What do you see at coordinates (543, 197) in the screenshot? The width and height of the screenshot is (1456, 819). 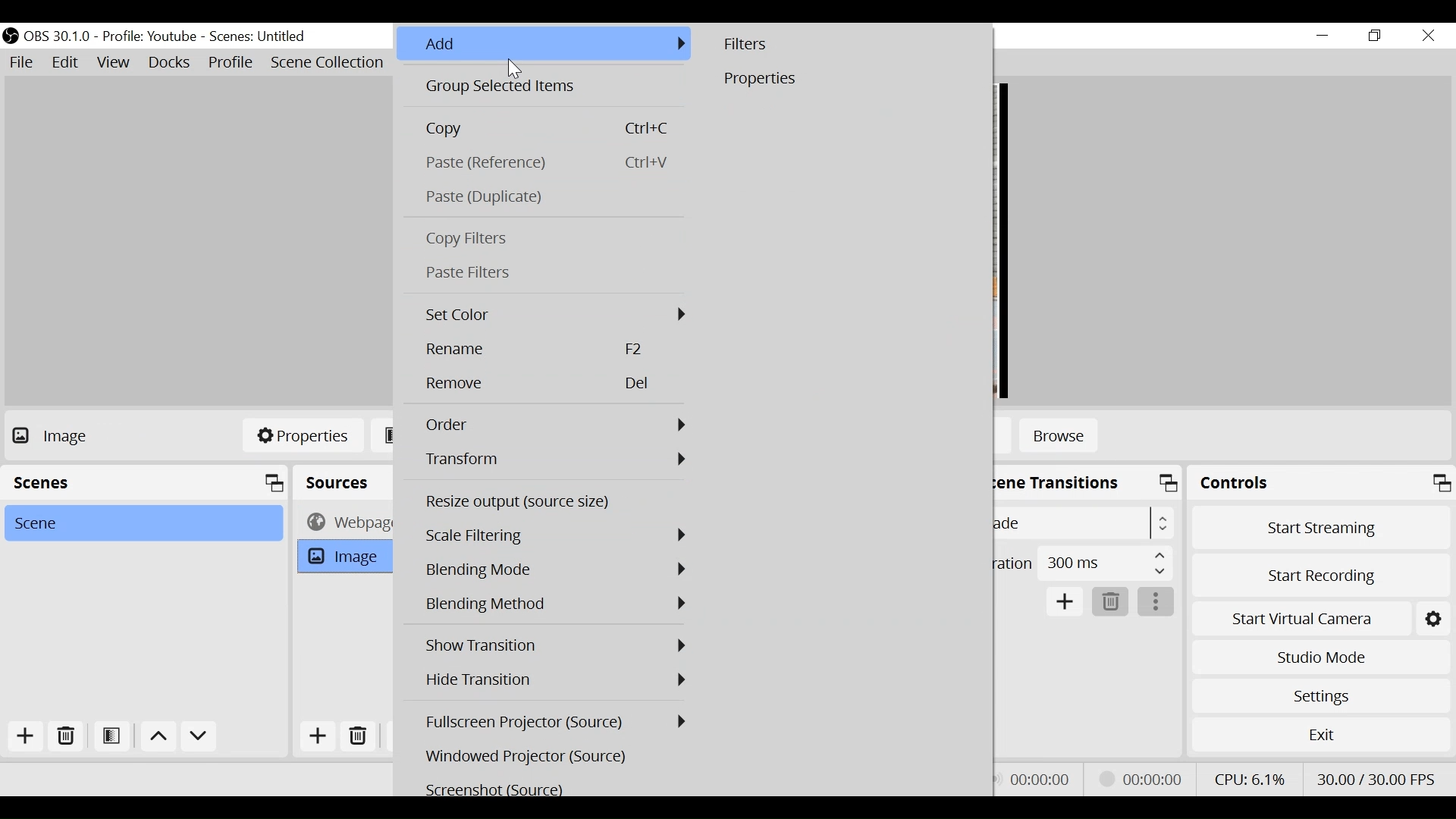 I see `Paste (Duplicate)` at bounding box center [543, 197].